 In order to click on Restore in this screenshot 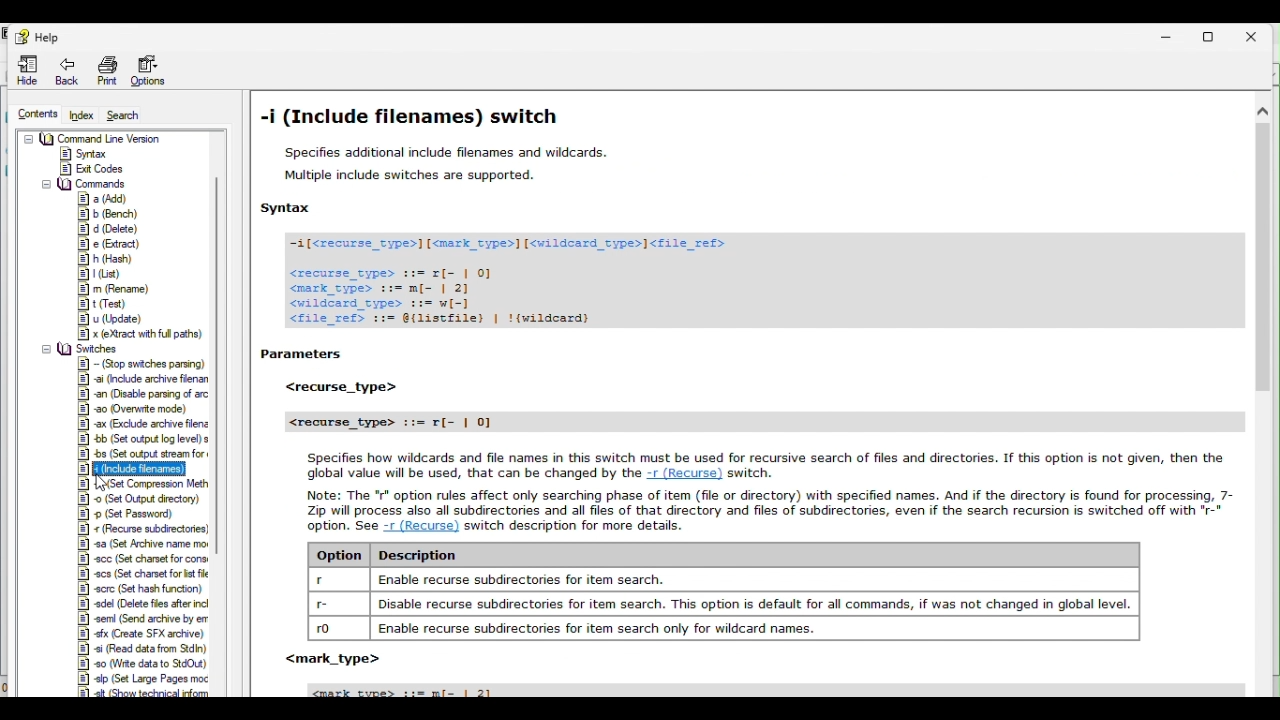, I will do `click(1211, 37)`.